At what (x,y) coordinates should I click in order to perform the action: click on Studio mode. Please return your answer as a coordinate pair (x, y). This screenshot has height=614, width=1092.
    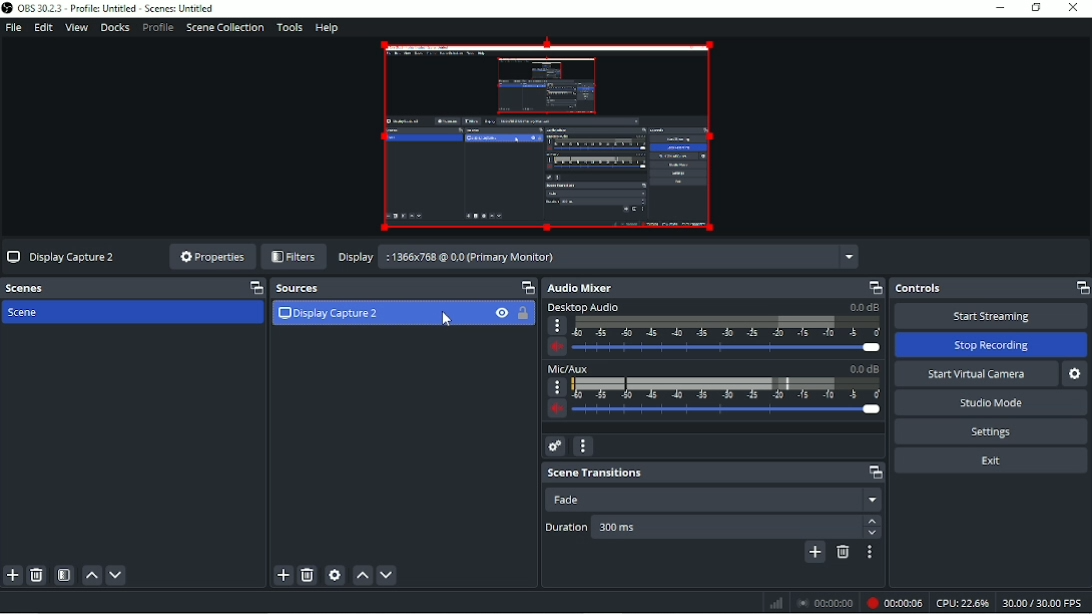
    Looking at the image, I should click on (991, 403).